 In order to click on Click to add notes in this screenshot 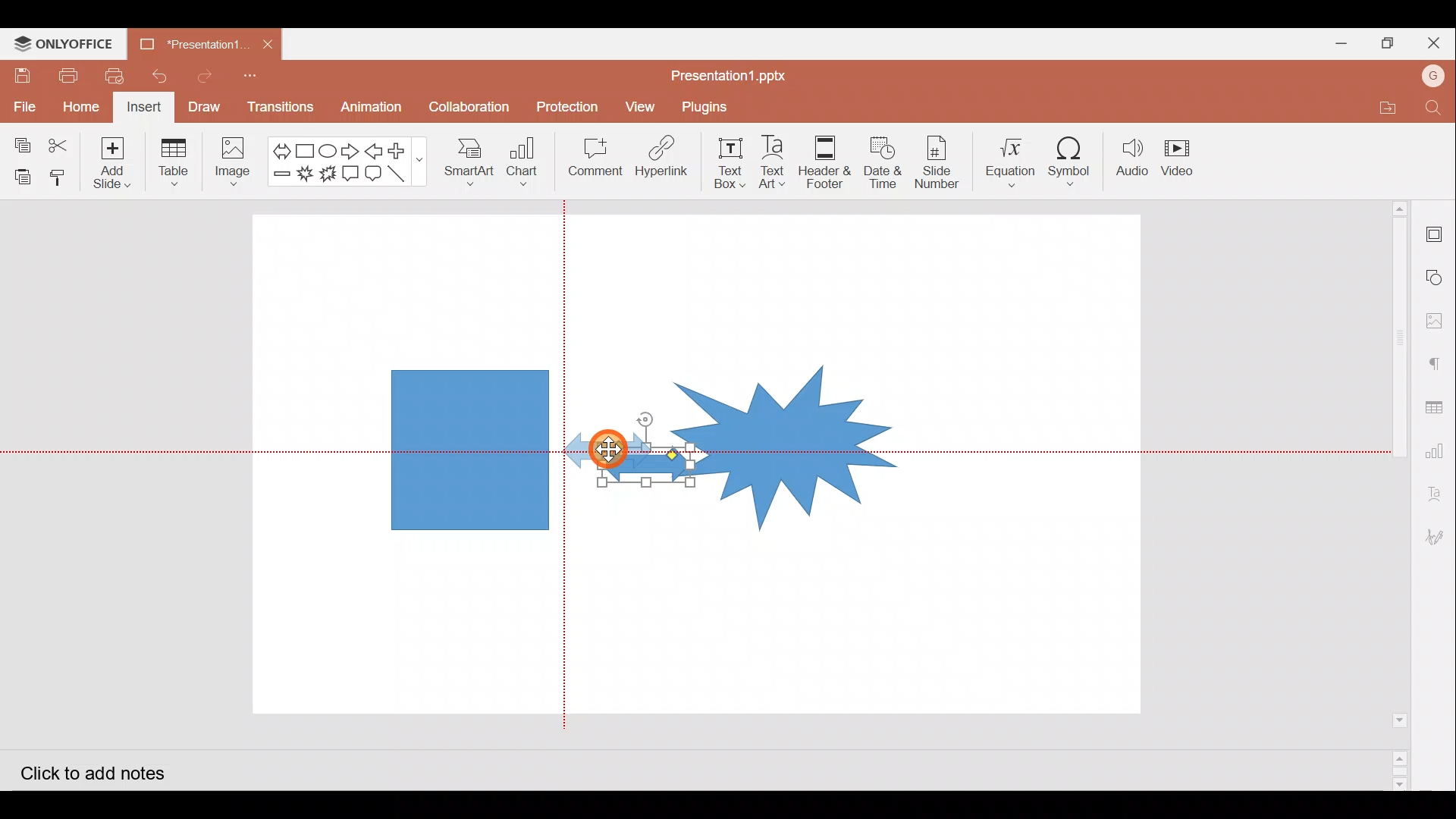, I will do `click(89, 770)`.